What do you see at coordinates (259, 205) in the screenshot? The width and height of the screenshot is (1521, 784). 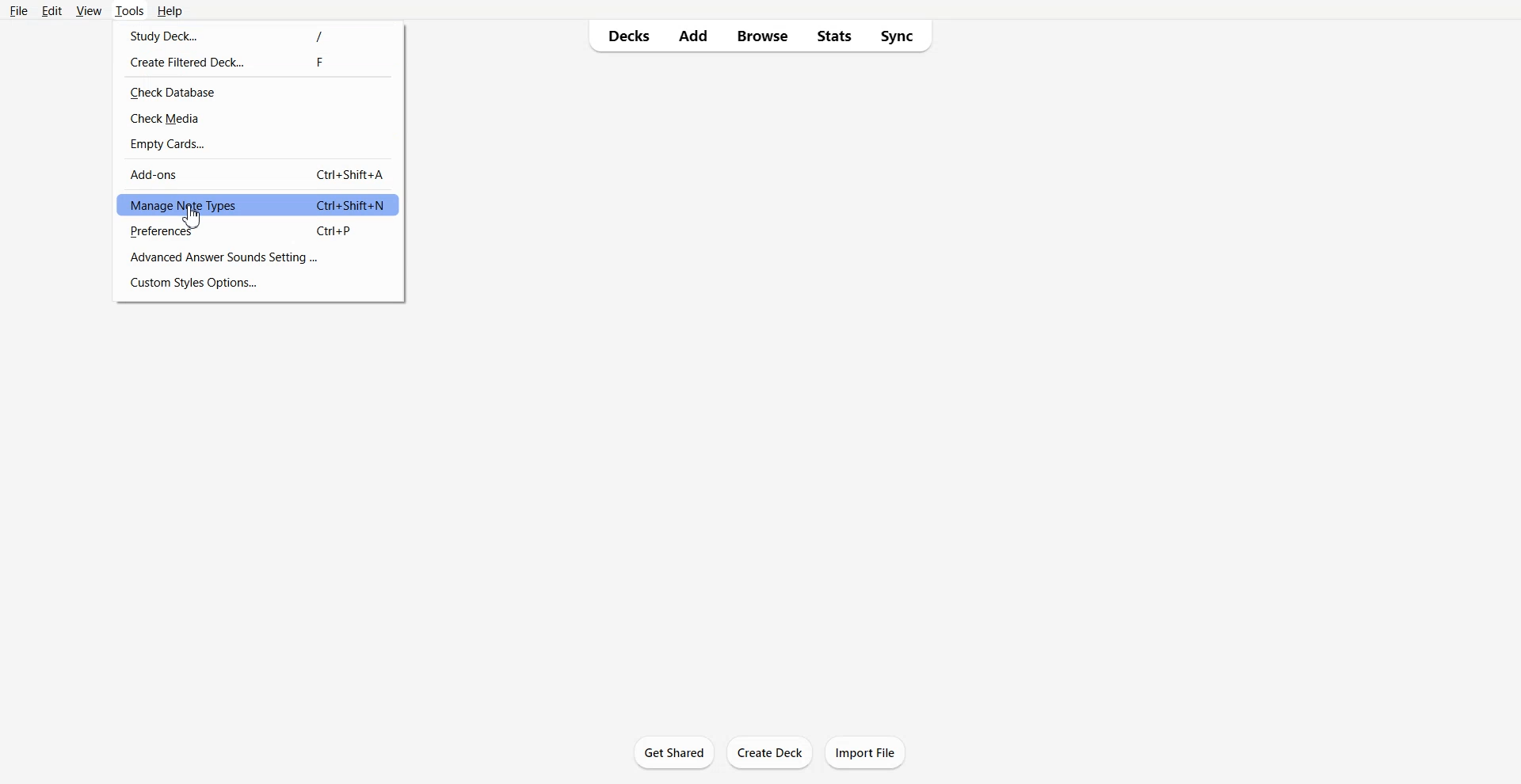 I see `Manage Note Types` at bounding box center [259, 205].